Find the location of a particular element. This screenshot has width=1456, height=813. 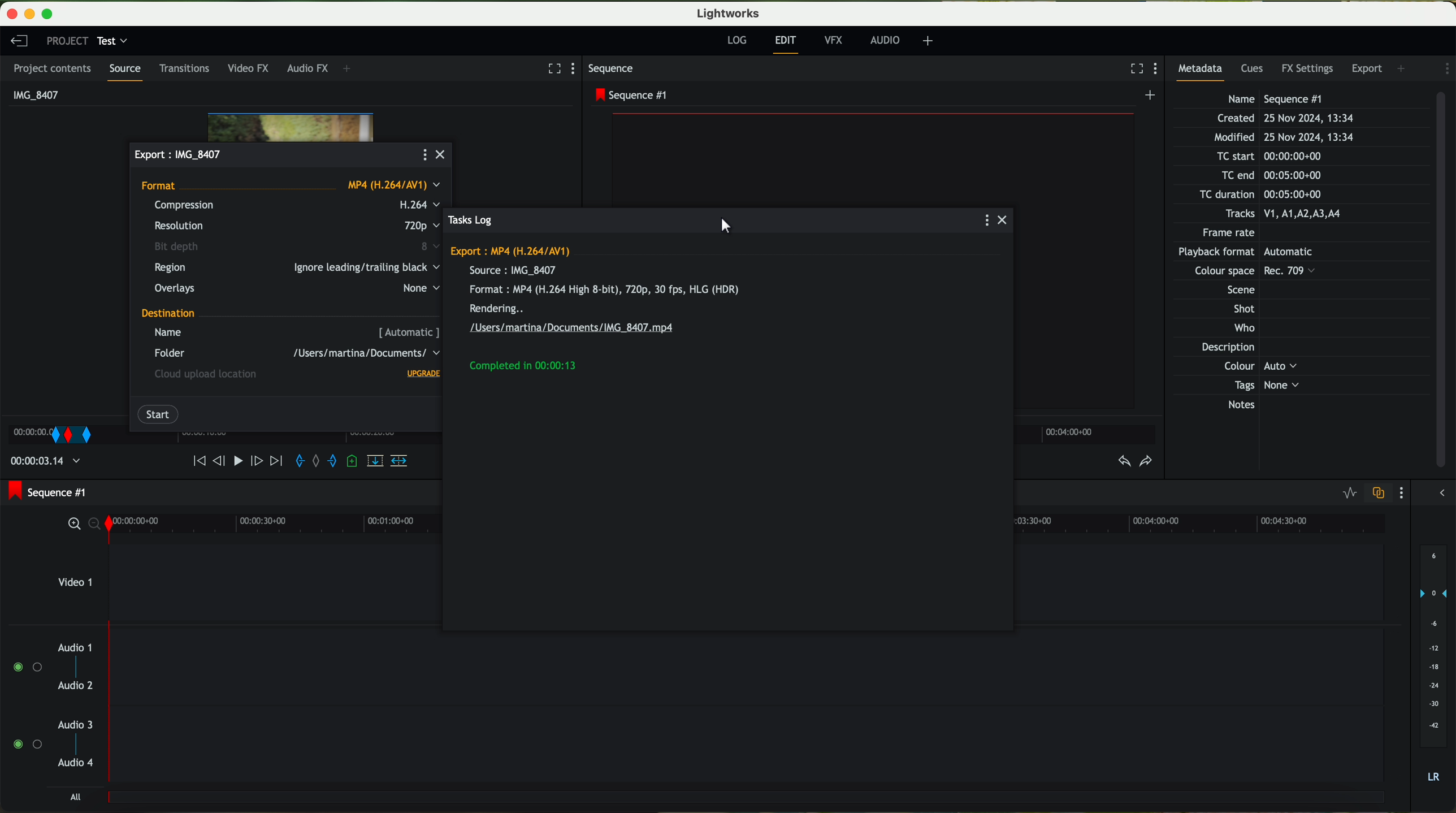

project: test is located at coordinates (86, 41).